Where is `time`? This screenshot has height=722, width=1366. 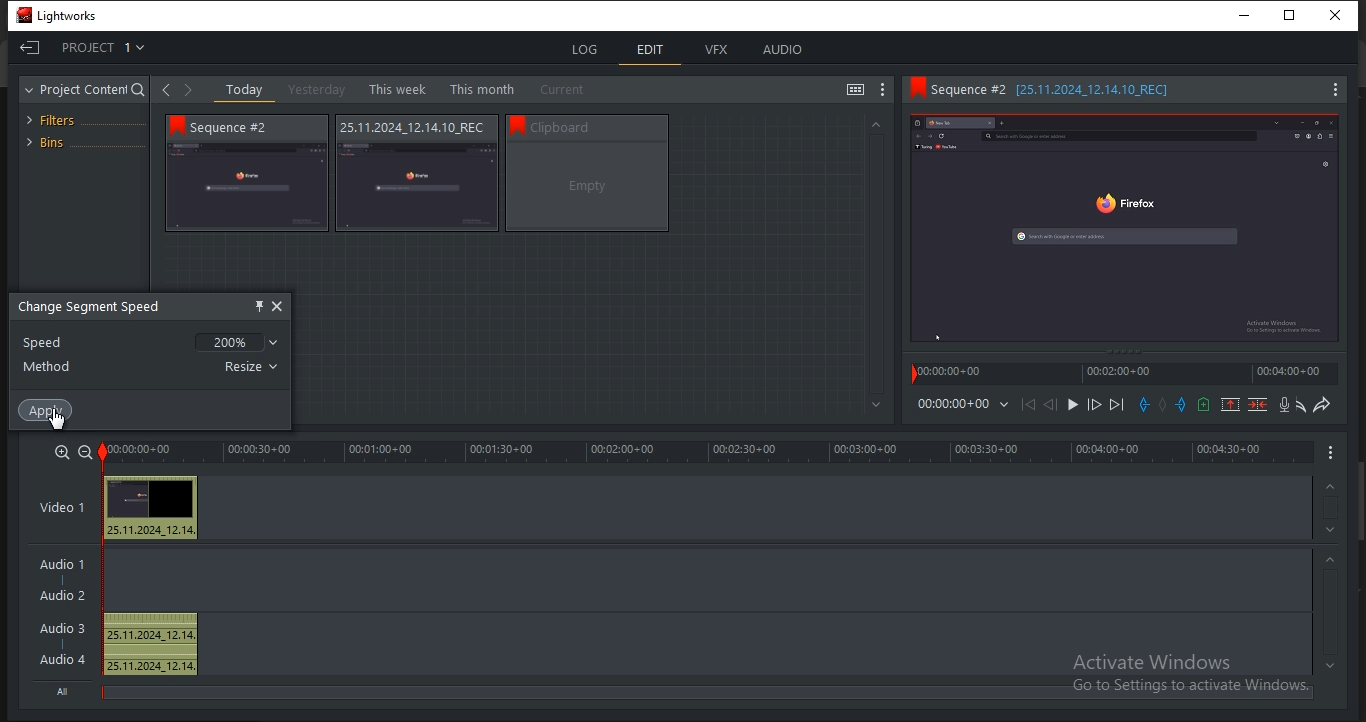
time is located at coordinates (952, 404).